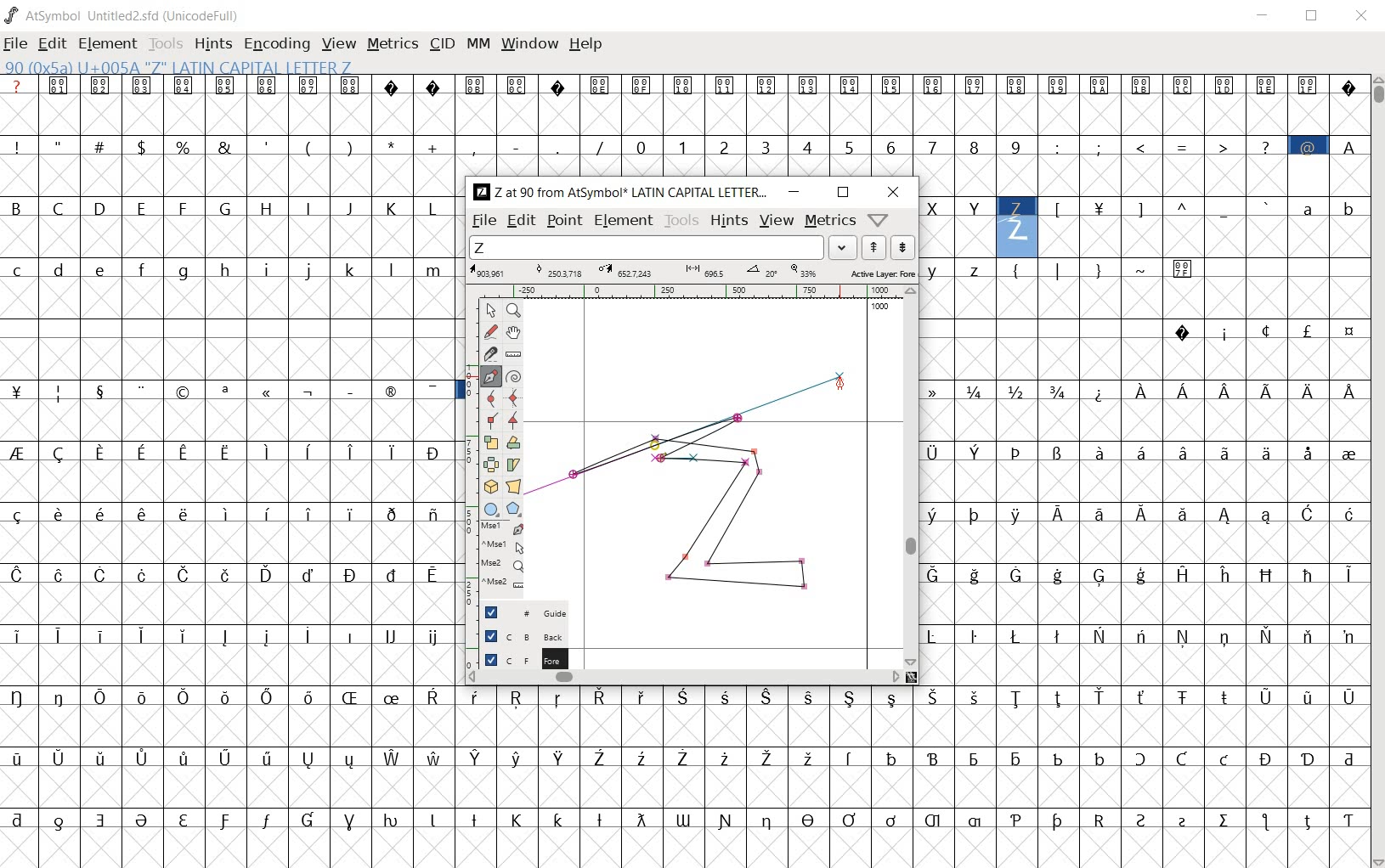 The height and width of the screenshot is (868, 1385). What do you see at coordinates (442, 43) in the screenshot?
I see `cid` at bounding box center [442, 43].